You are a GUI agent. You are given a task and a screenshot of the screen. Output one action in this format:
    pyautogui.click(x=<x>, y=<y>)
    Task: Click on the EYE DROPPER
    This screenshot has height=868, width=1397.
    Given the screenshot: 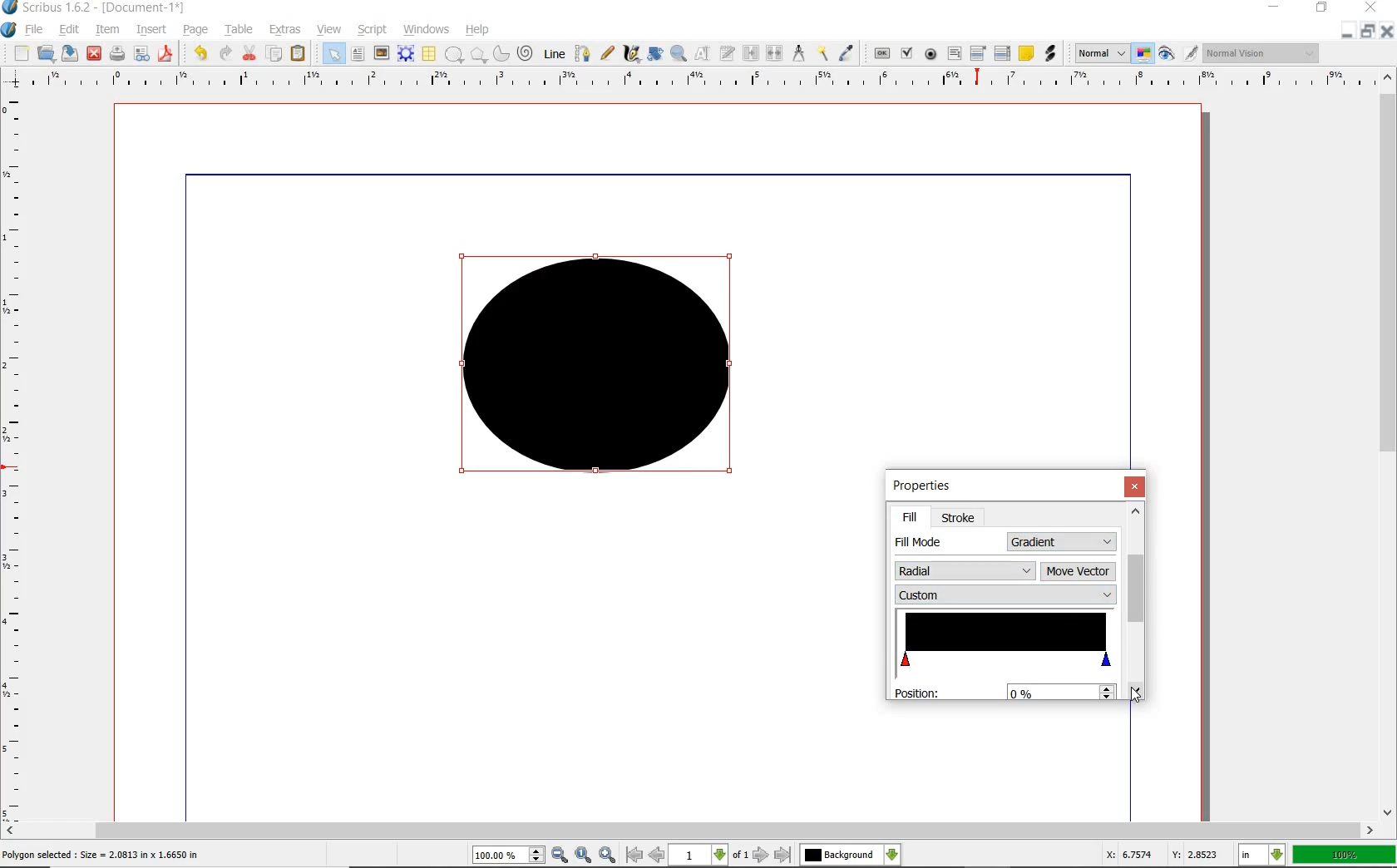 What is the action you would take?
    pyautogui.click(x=847, y=54)
    